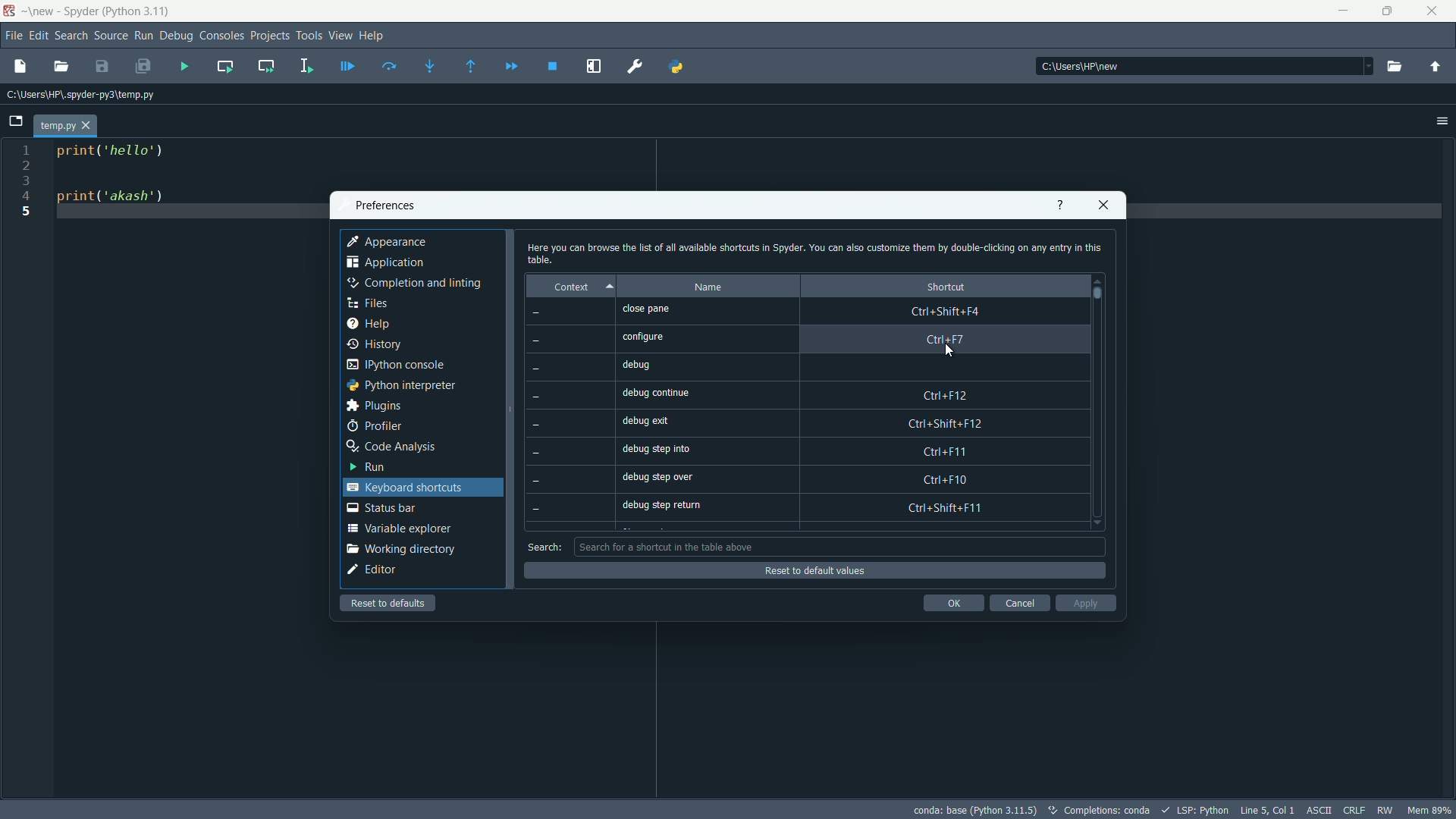 The height and width of the screenshot is (819, 1456). Describe the element at coordinates (677, 65) in the screenshot. I see `python path manager` at that location.